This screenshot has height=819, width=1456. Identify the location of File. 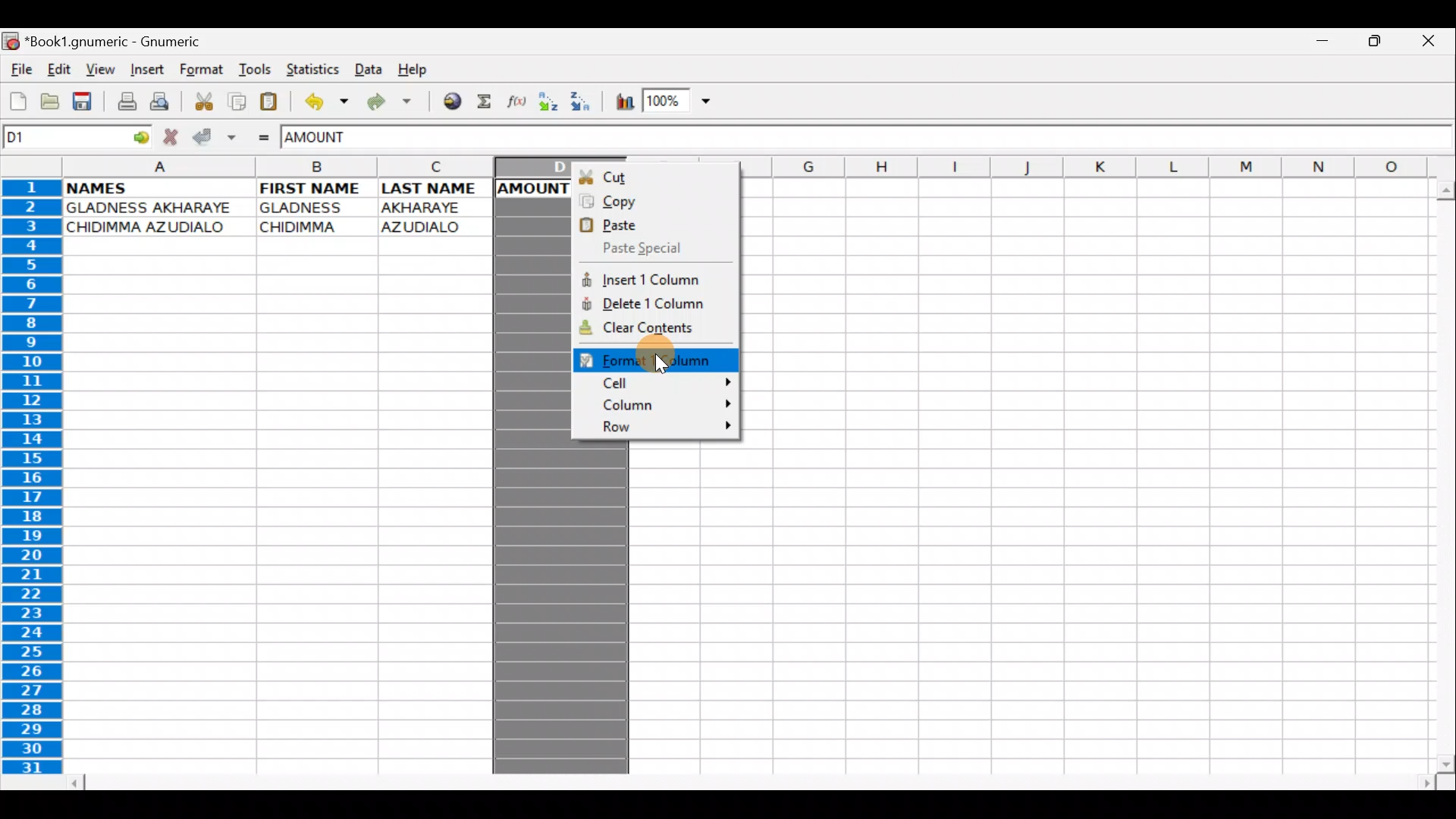
(20, 71).